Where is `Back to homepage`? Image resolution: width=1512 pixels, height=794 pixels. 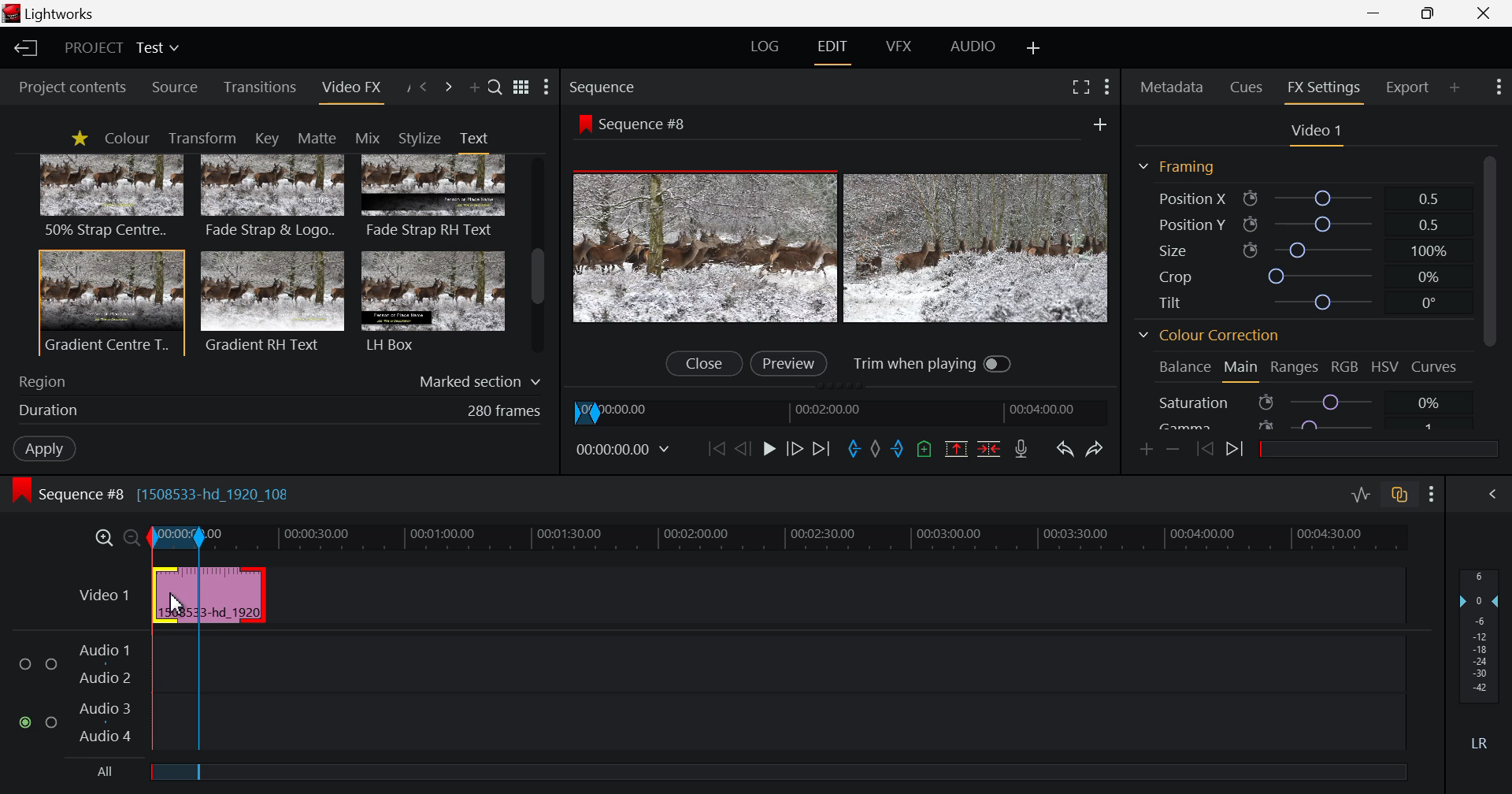 Back to homepage is located at coordinates (23, 48).